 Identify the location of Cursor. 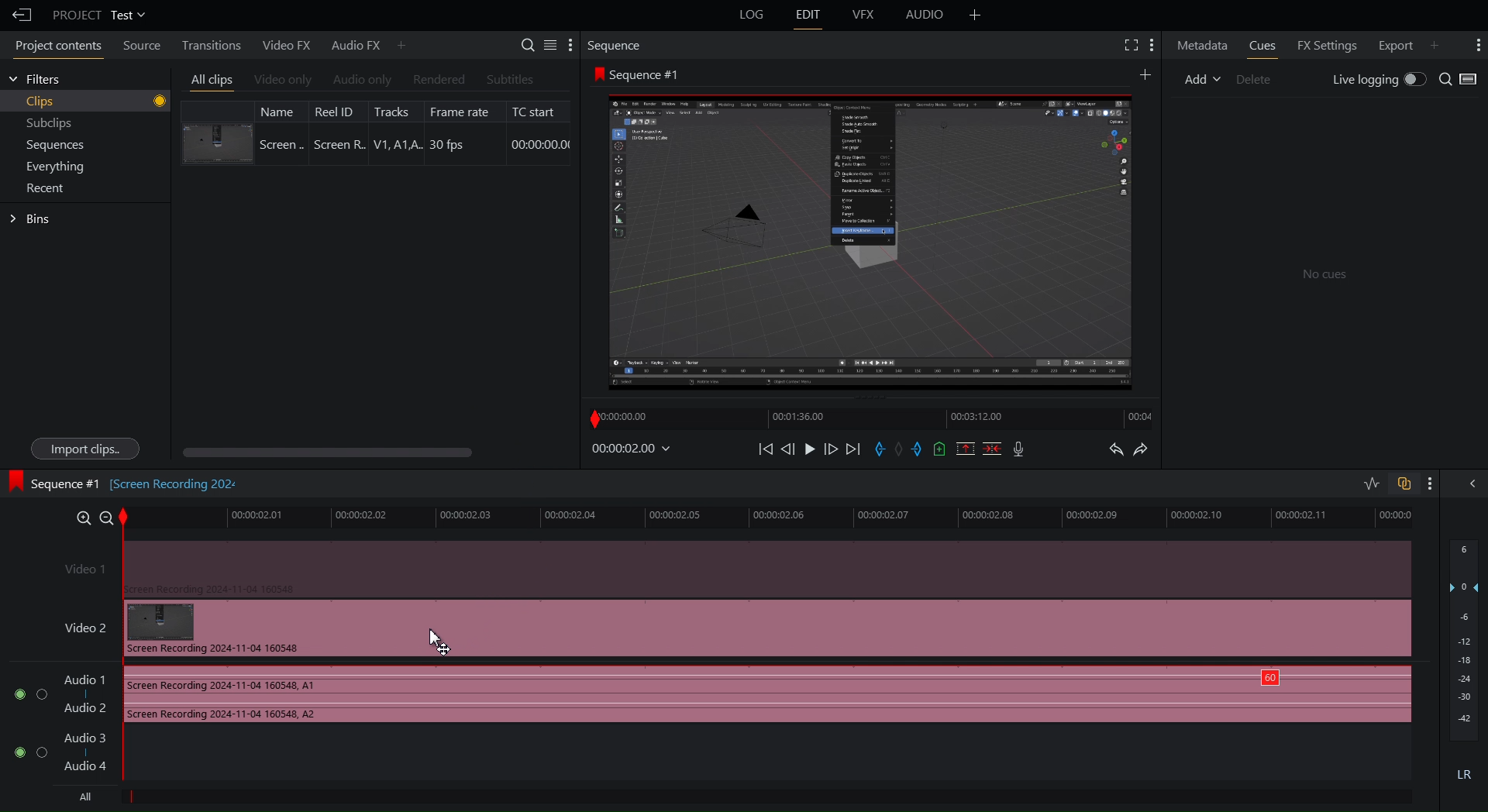
(436, 640).